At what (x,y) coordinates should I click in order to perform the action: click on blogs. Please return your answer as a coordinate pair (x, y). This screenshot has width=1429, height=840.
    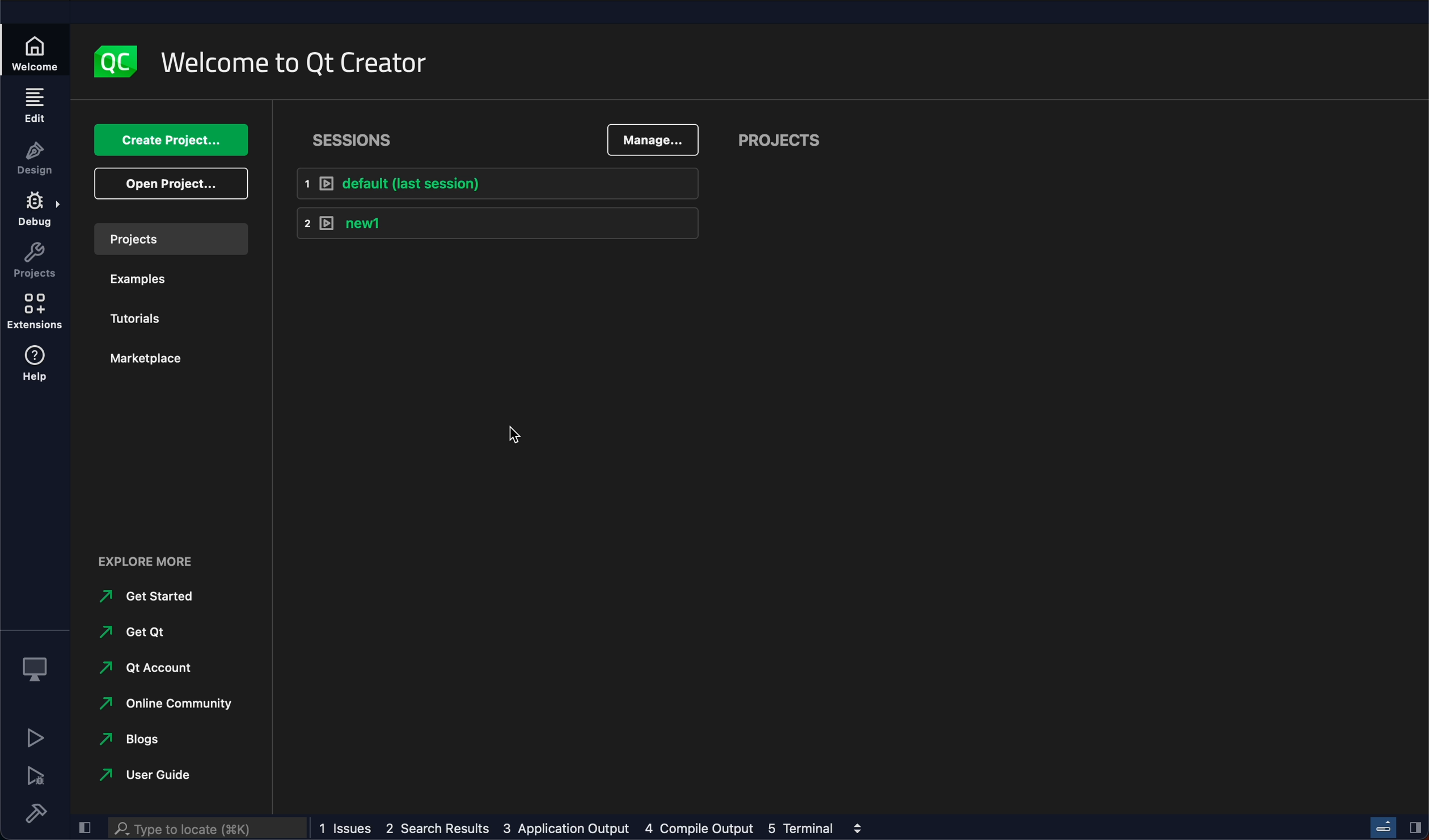
    Looking at the image, I should click on (147, 739).